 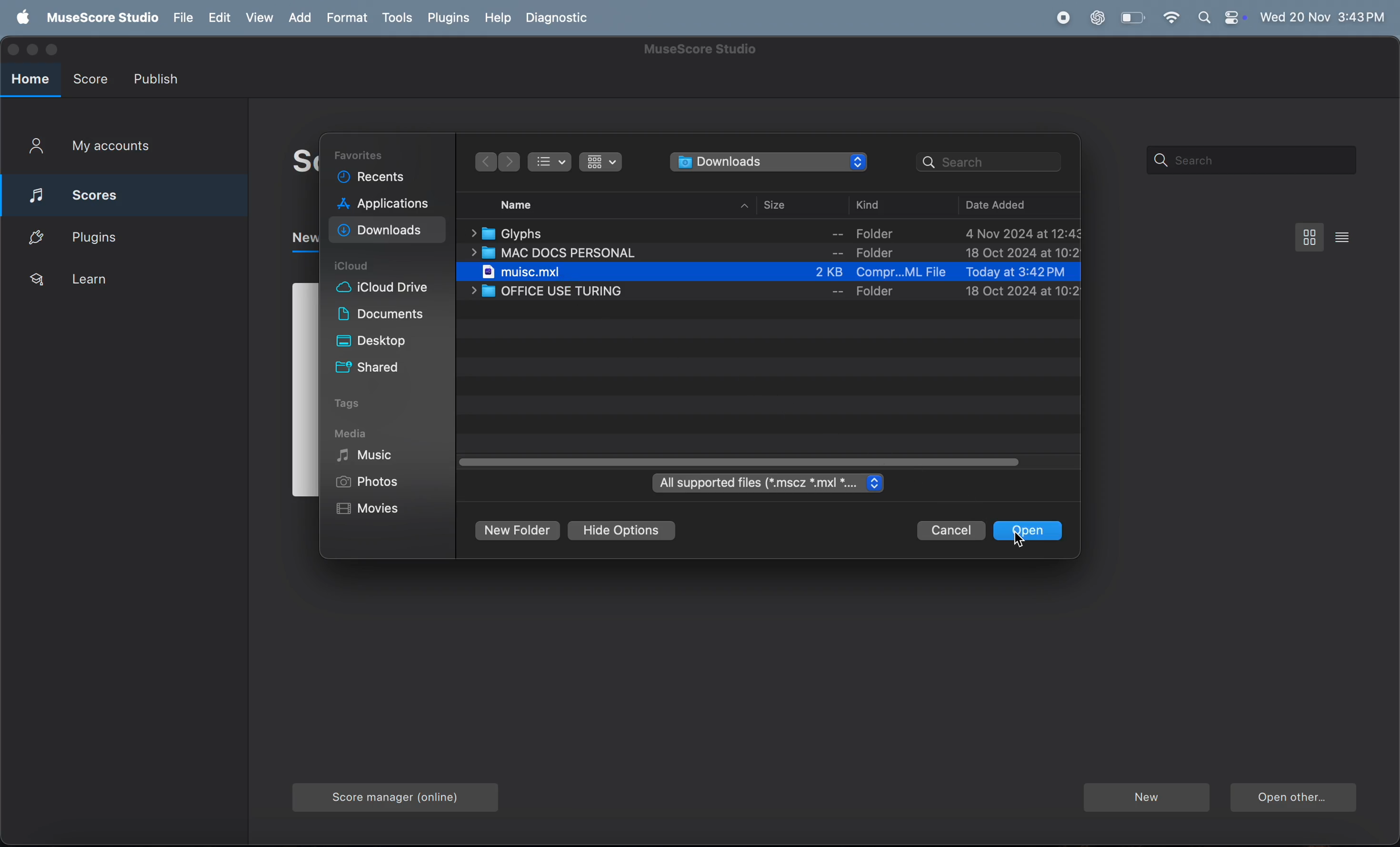 I want to click on toggle, so click(x=746, y=462).